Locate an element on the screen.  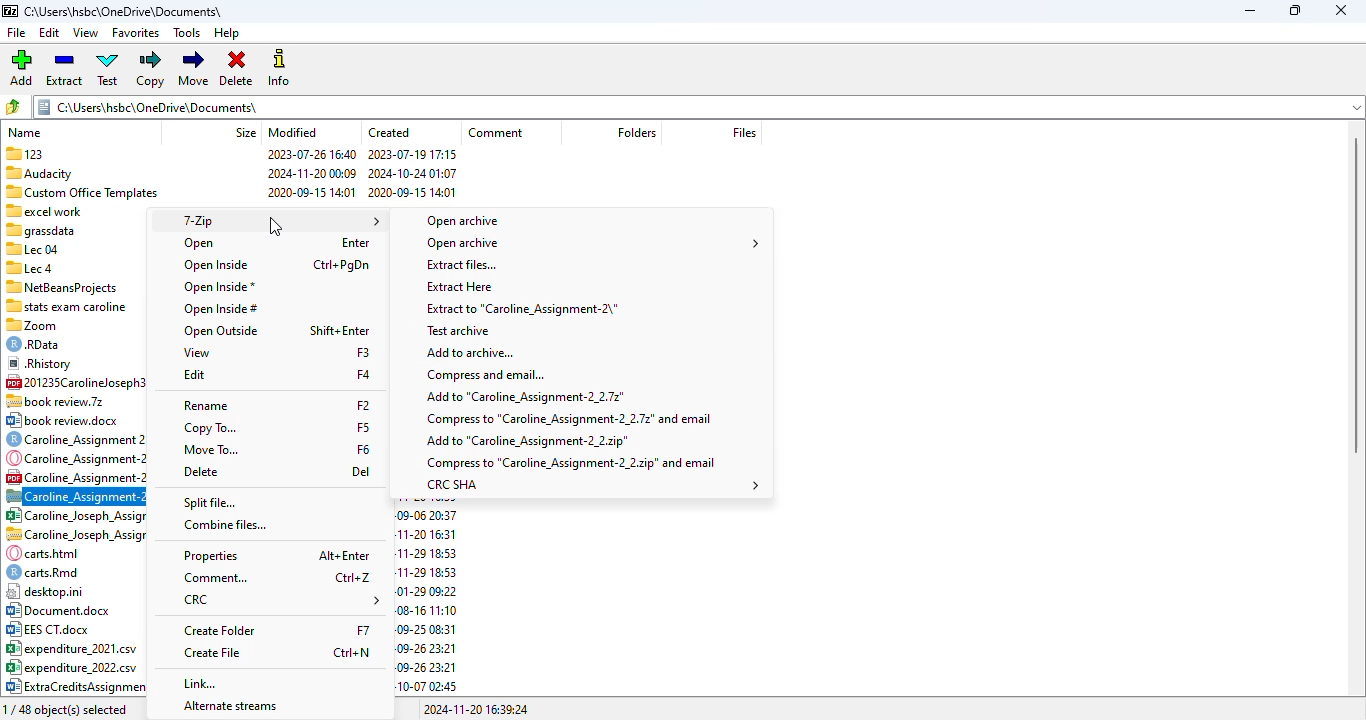
compress to .7z file and email is located at coordinates (567, 419).